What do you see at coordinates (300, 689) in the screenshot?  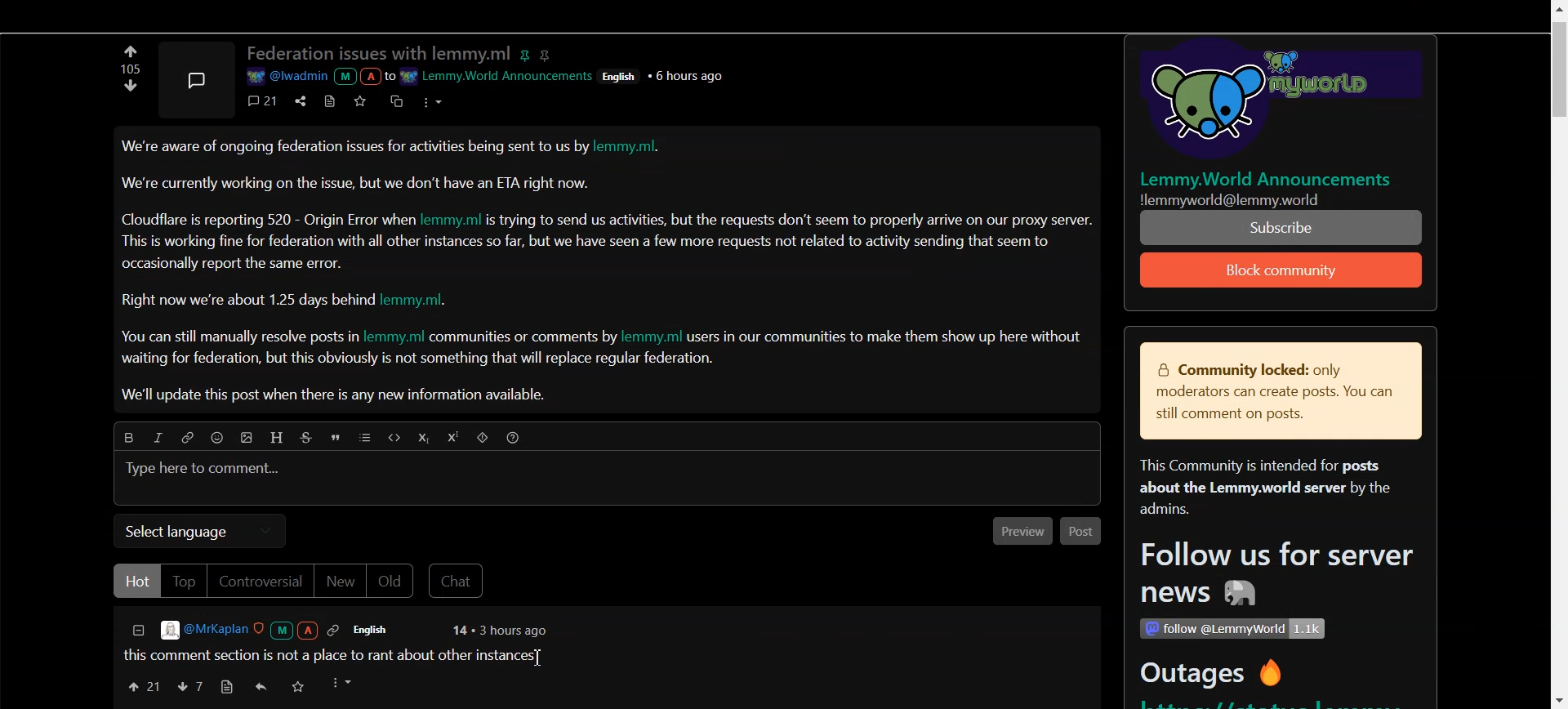 I see `save` at bounding box center [300, 689].